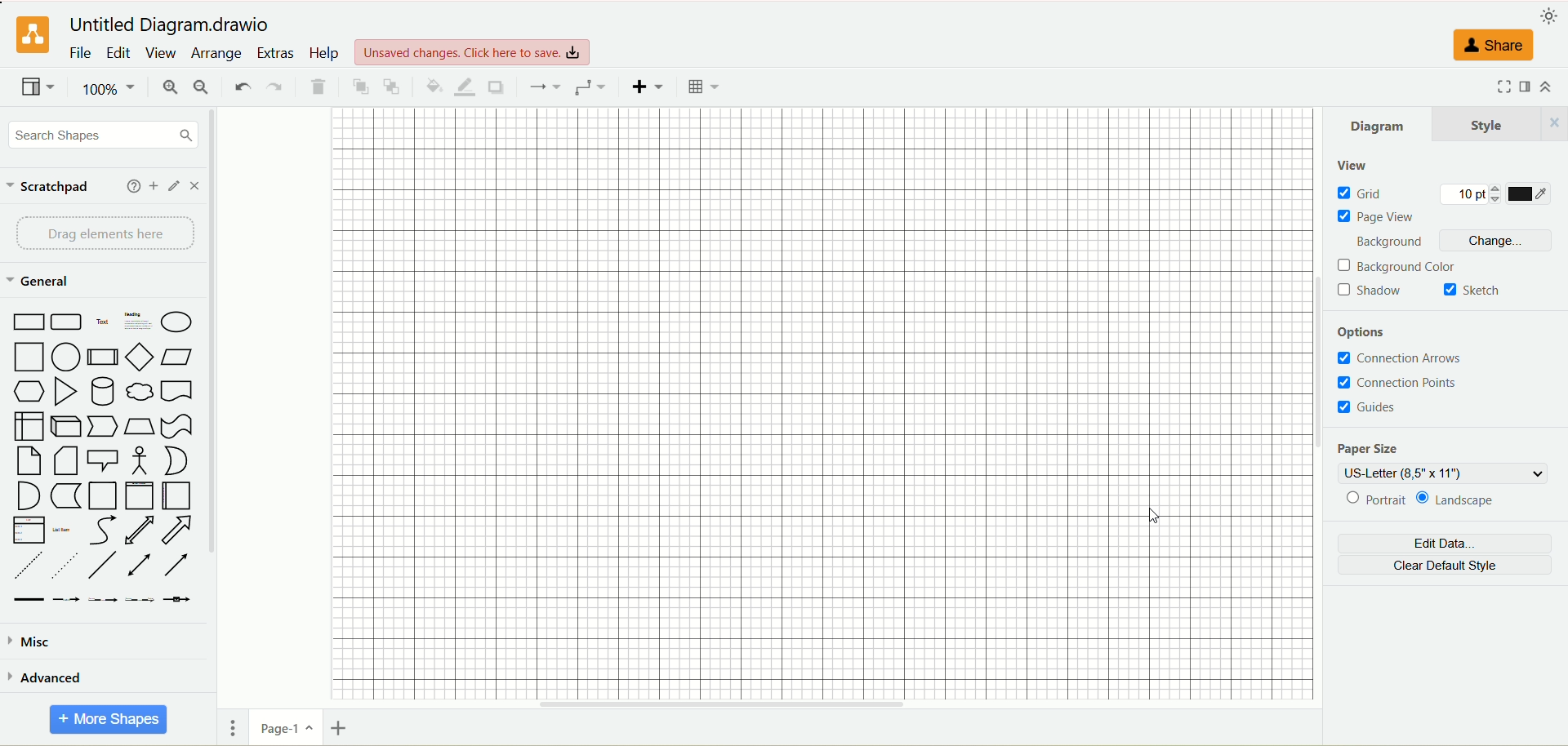 The width and height of the screenshot is (1568, 746). I want to click on sketch, so click(1476, 291).